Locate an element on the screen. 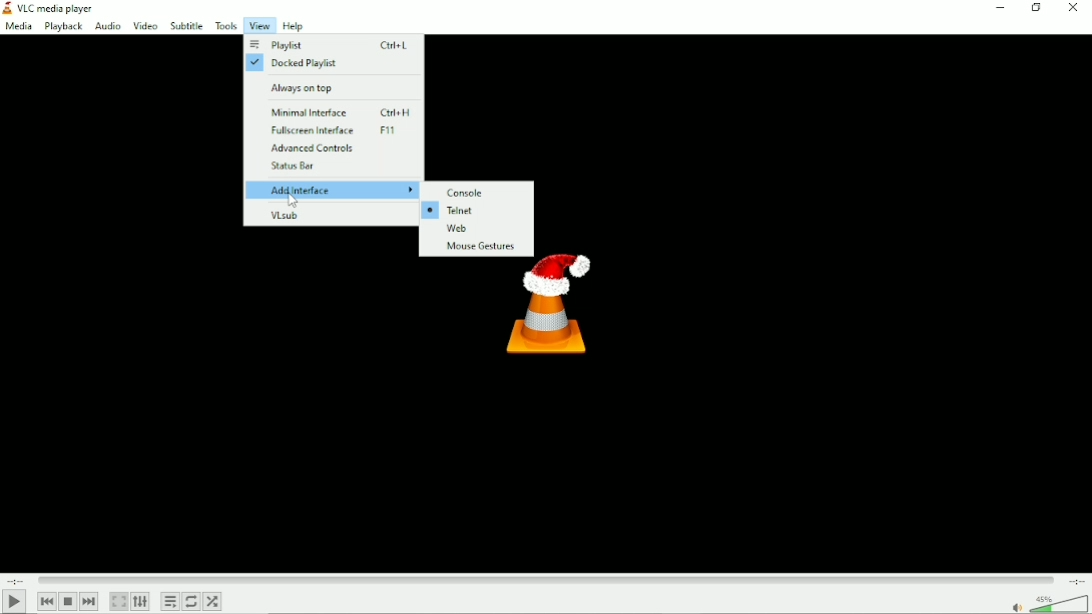 The width and height of the screenshot is (1092, 614). Toggle between loop all, loop one and no loop is located at coordinates (191, 601).